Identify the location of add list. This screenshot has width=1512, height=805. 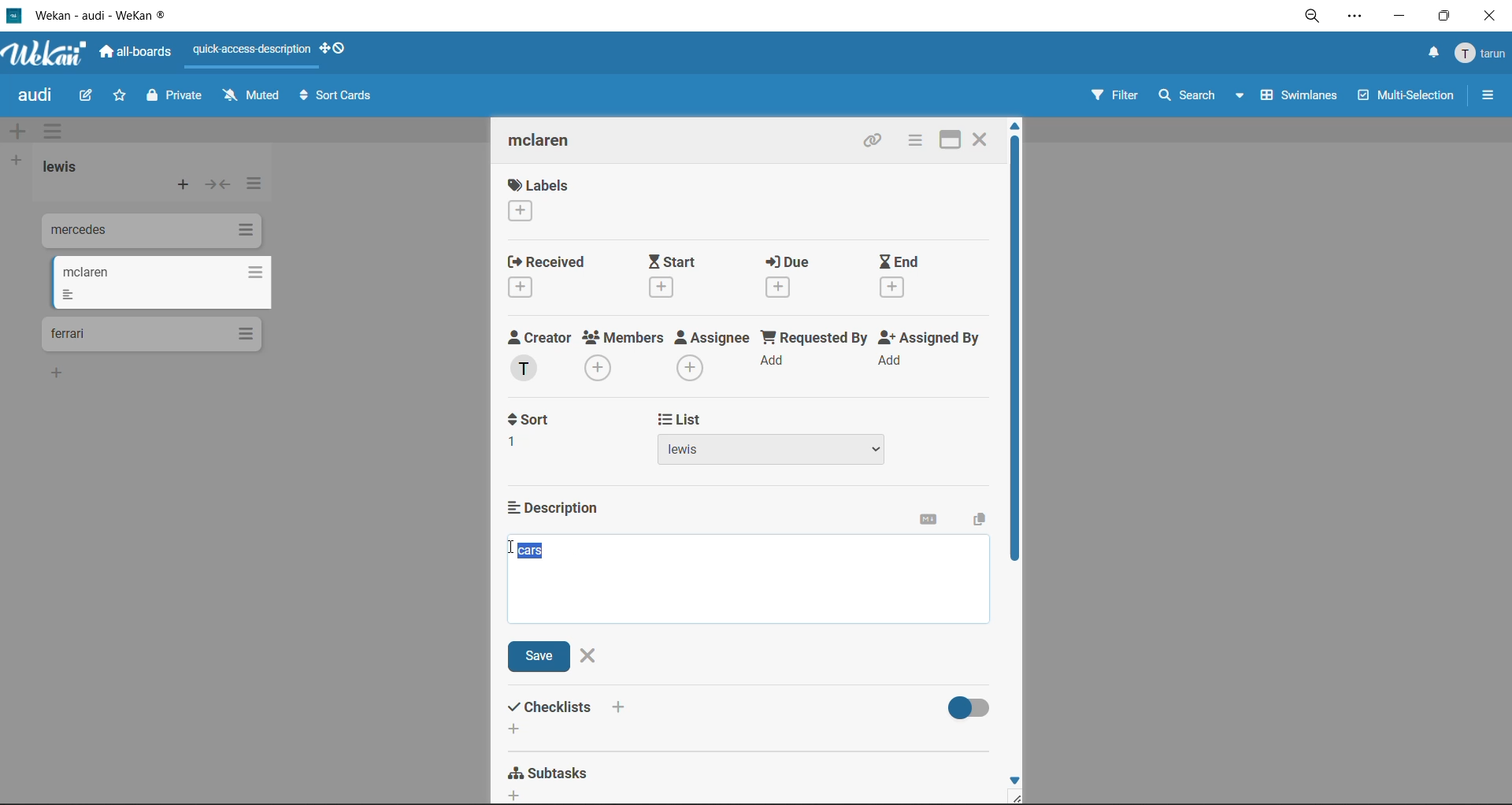
(15, 161).